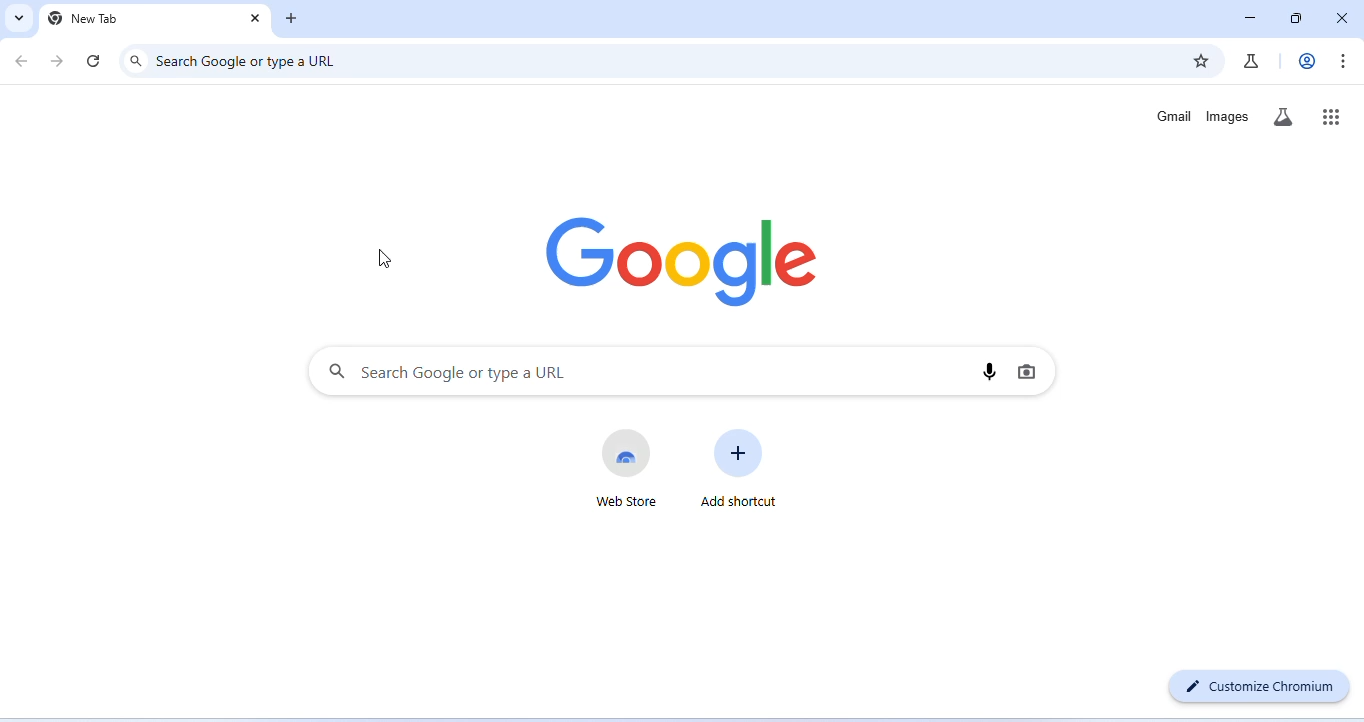 The height and width of the screenshot is (722, 1364). I want to click on cursor, so click(387, 259).